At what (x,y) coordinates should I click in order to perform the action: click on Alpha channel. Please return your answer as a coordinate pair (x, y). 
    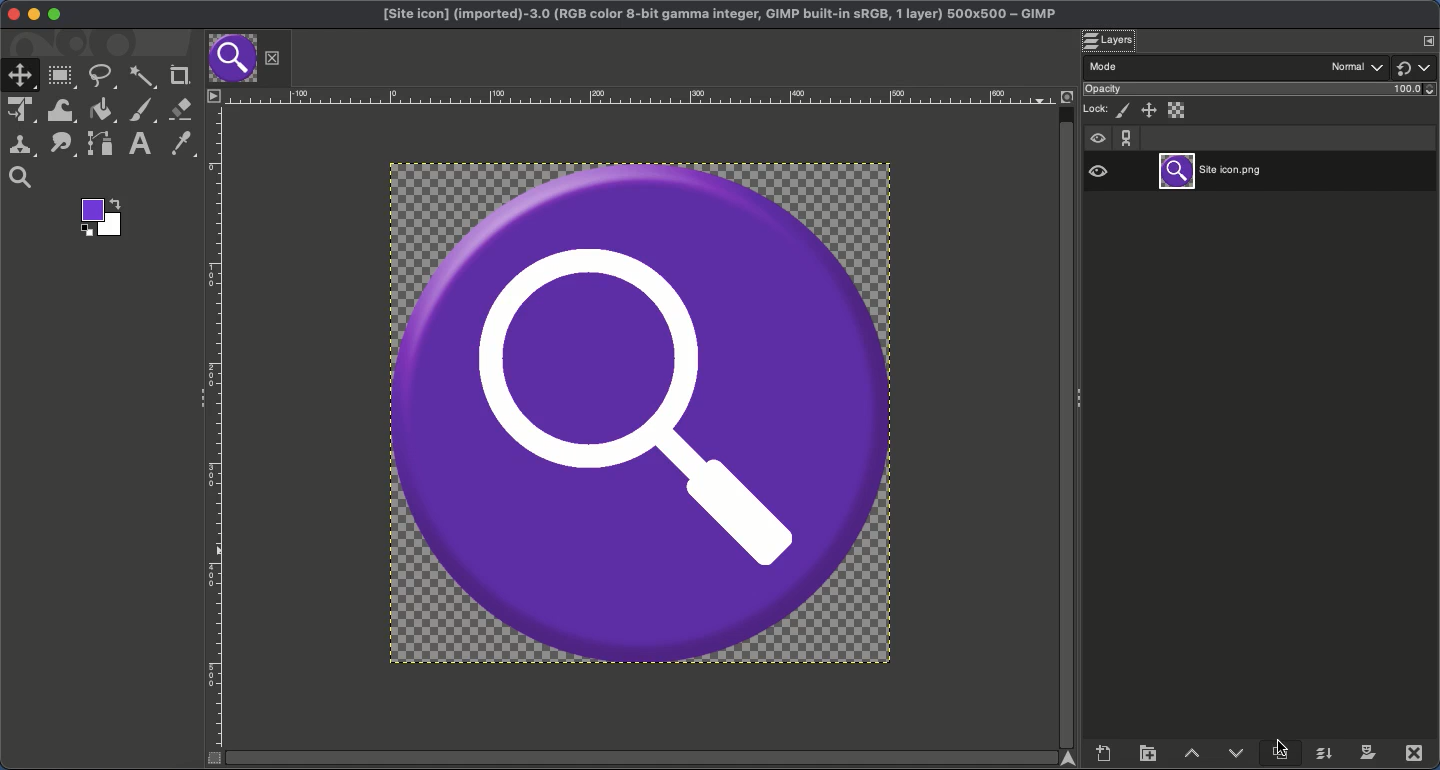
    Looking at the image, I should click on (1178, 110).